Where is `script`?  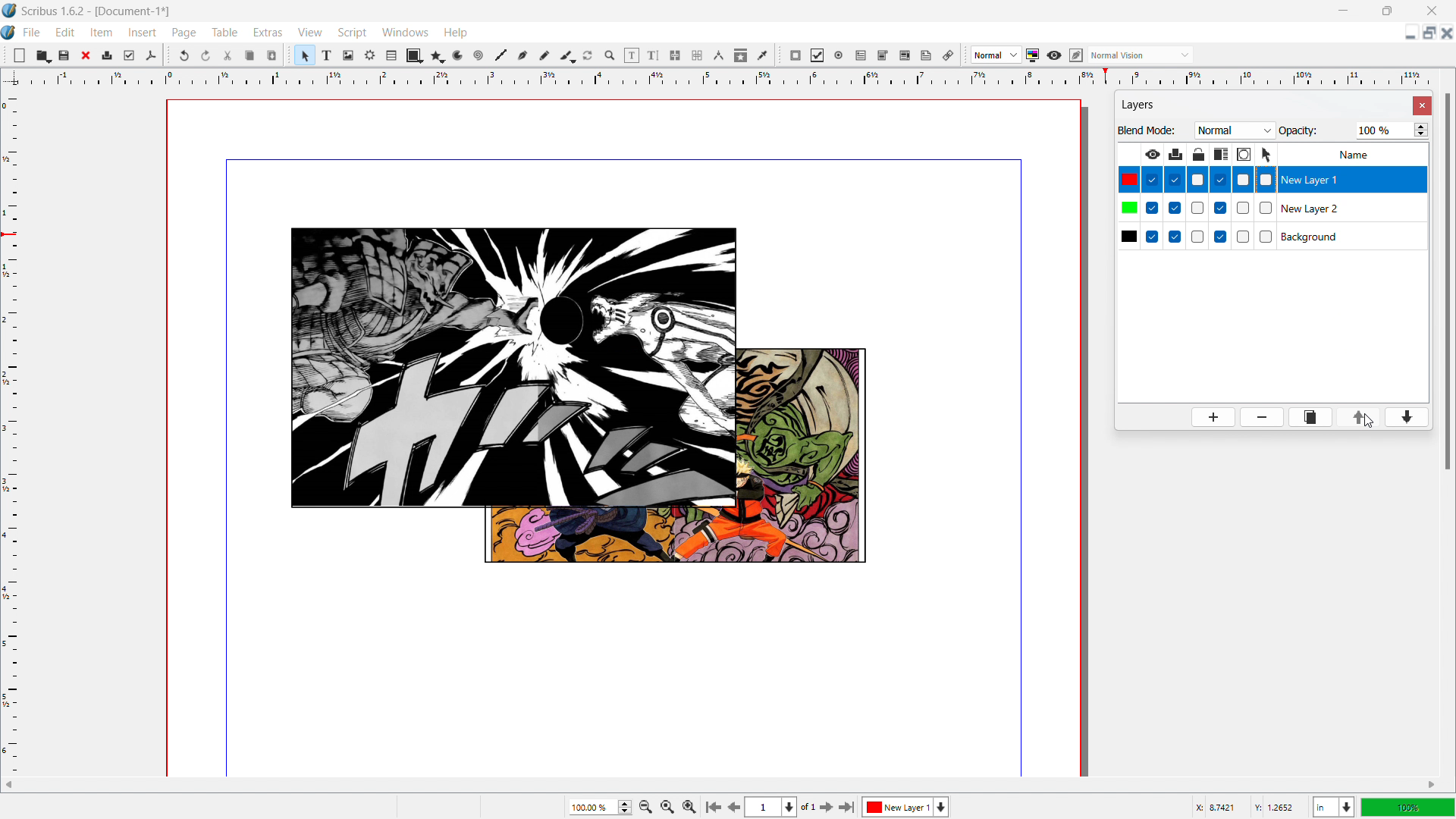
script is located at coordinates (352, 33).